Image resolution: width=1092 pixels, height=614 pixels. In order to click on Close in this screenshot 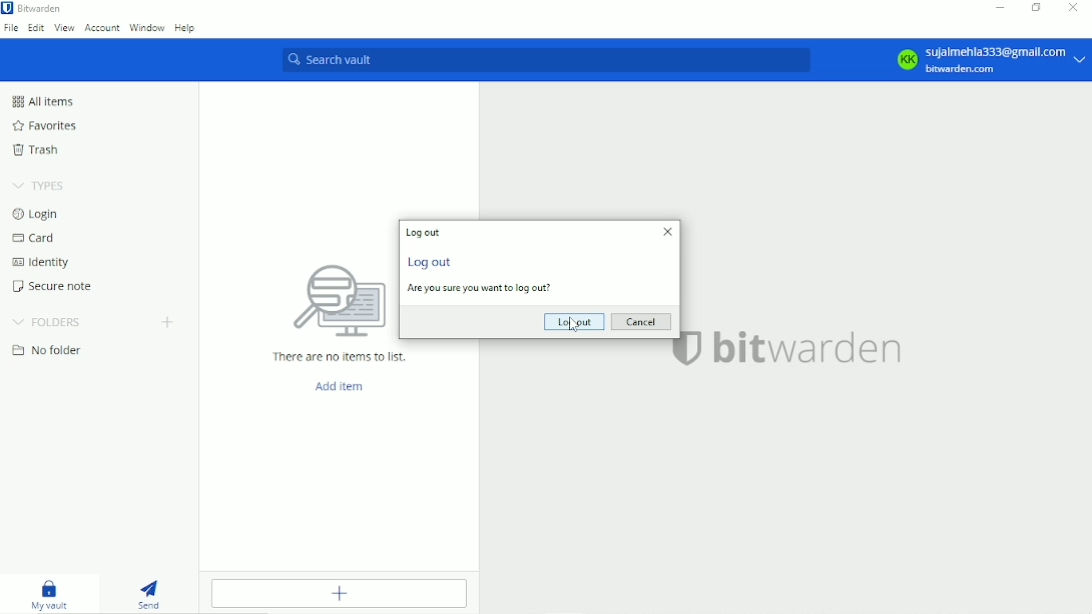, I will do `click(1074, 9)`.